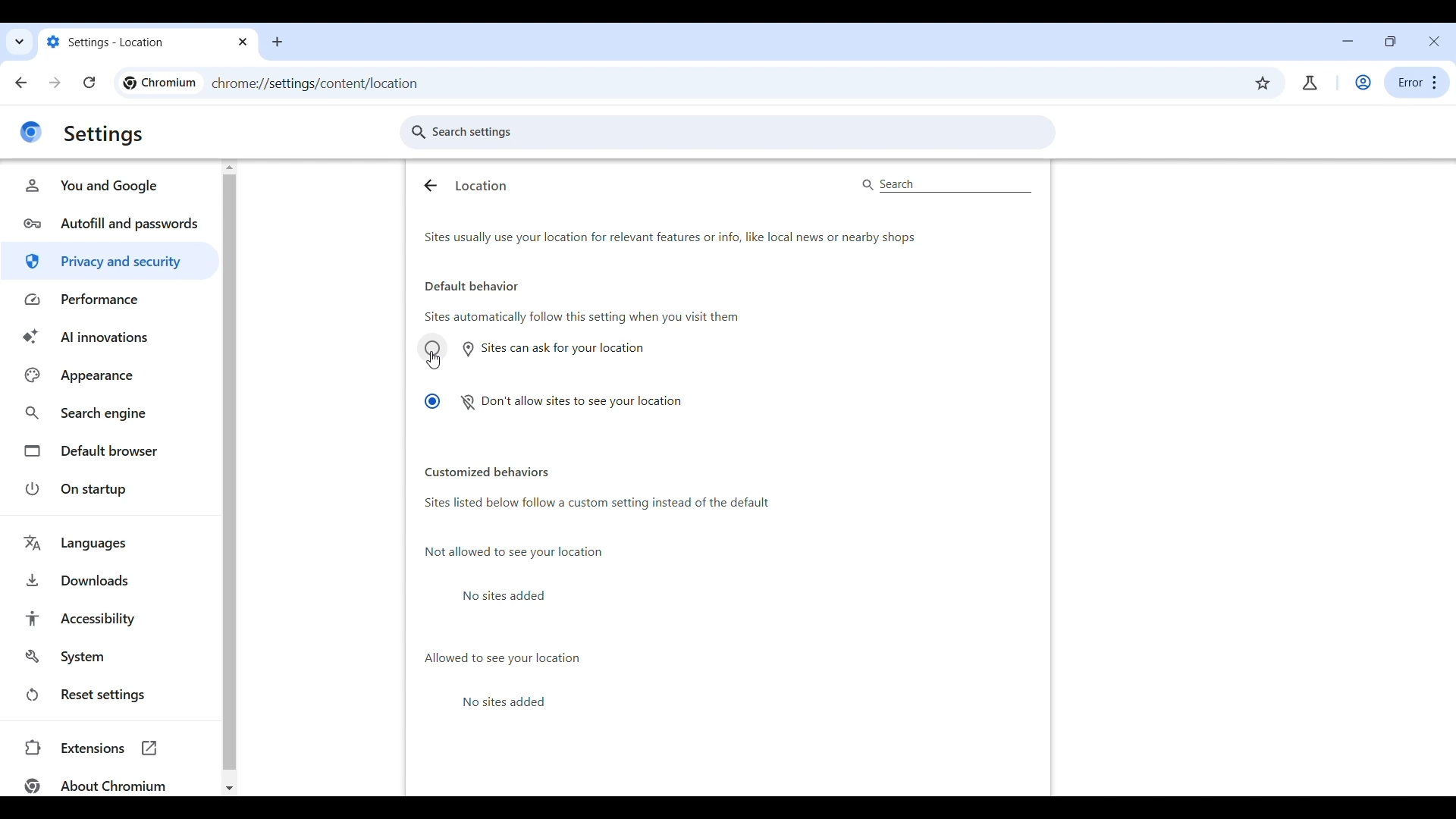  I want to click on sites usually use your location for relevant features or info, like local news or nearby shops, so click(714, 239).